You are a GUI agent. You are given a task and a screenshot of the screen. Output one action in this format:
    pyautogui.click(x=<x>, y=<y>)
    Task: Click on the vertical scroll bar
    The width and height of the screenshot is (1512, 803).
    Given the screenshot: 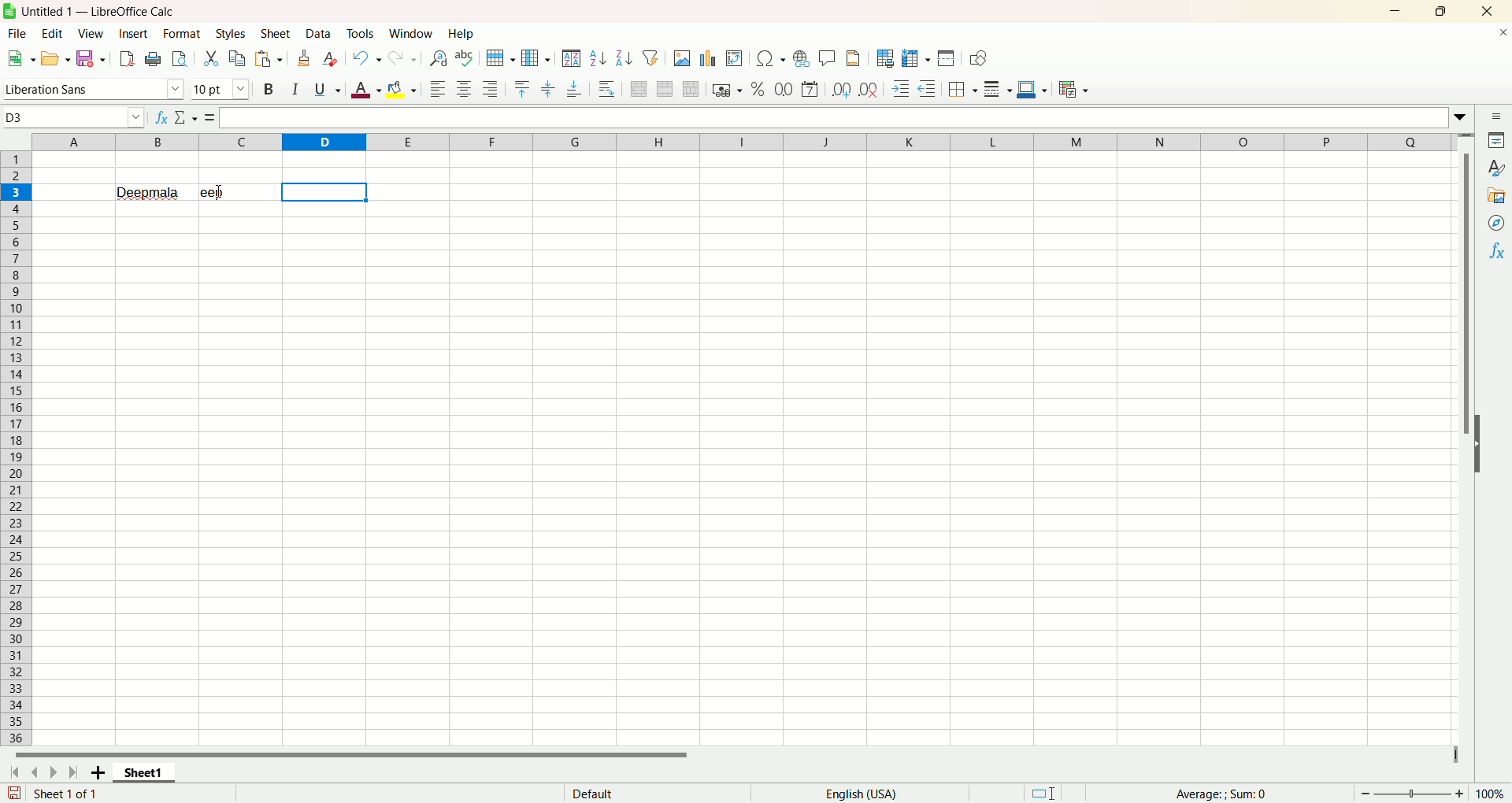 What is the action you would take?
    pyautogui.click(x=1469, y=439)
    